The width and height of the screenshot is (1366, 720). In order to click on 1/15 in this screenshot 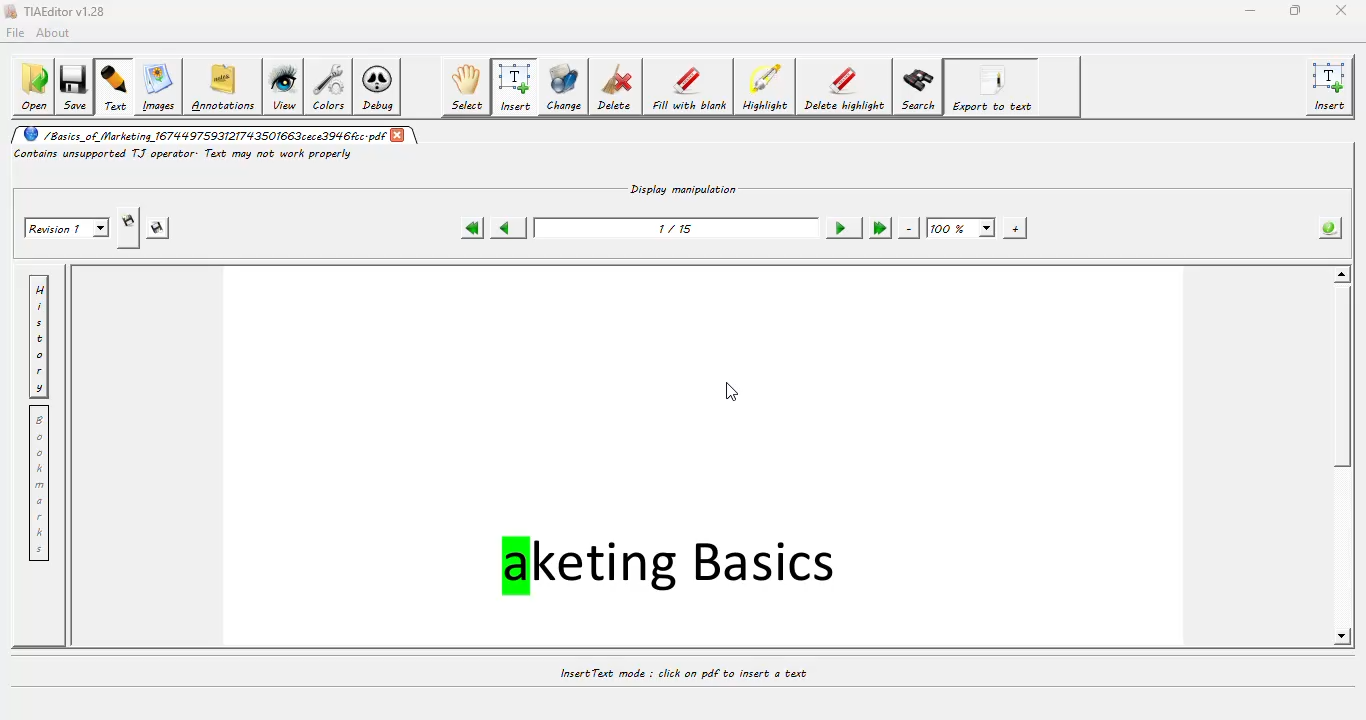, I will do `click(674, 227)`.